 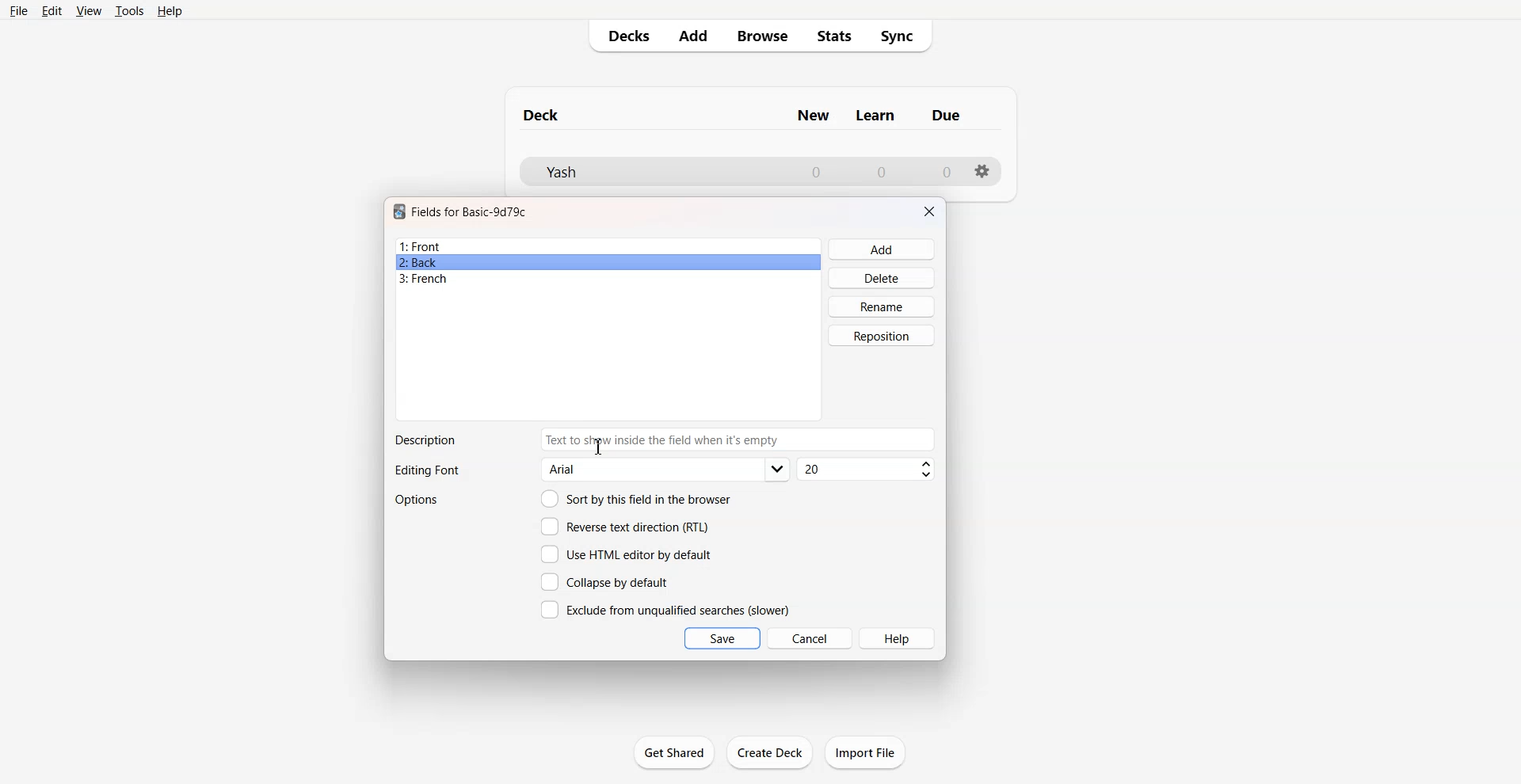 What do you see at coordinates (816, 172) in the screenshot?
I see `Number of New cards` at bounding box center [816, 172].